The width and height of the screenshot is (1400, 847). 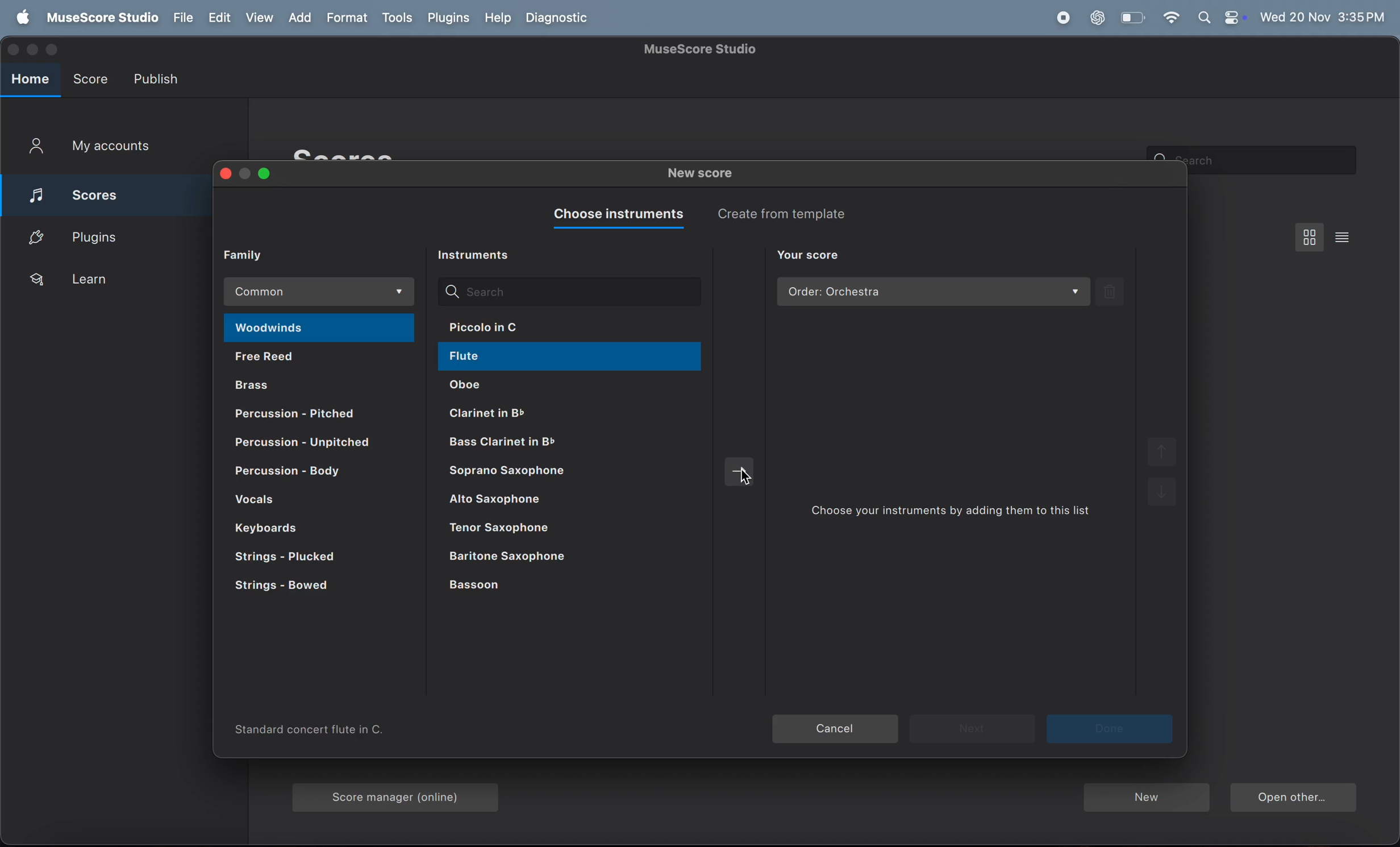 What do you see at coordinates (1221, 18) in the screenshot?
I see `apple widgets` at bounding box center [1221, 18].